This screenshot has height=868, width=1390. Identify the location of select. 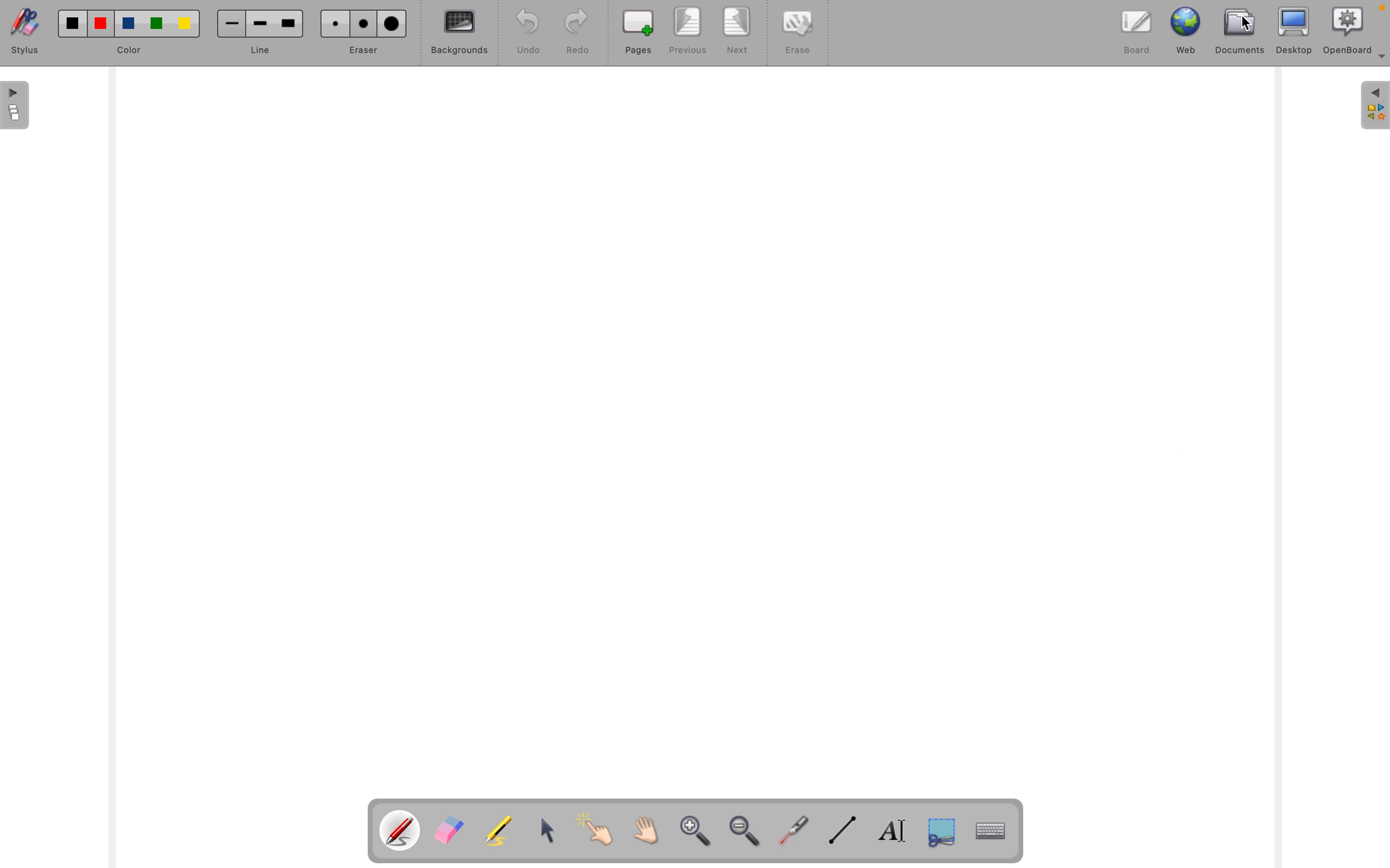
(550, 831).